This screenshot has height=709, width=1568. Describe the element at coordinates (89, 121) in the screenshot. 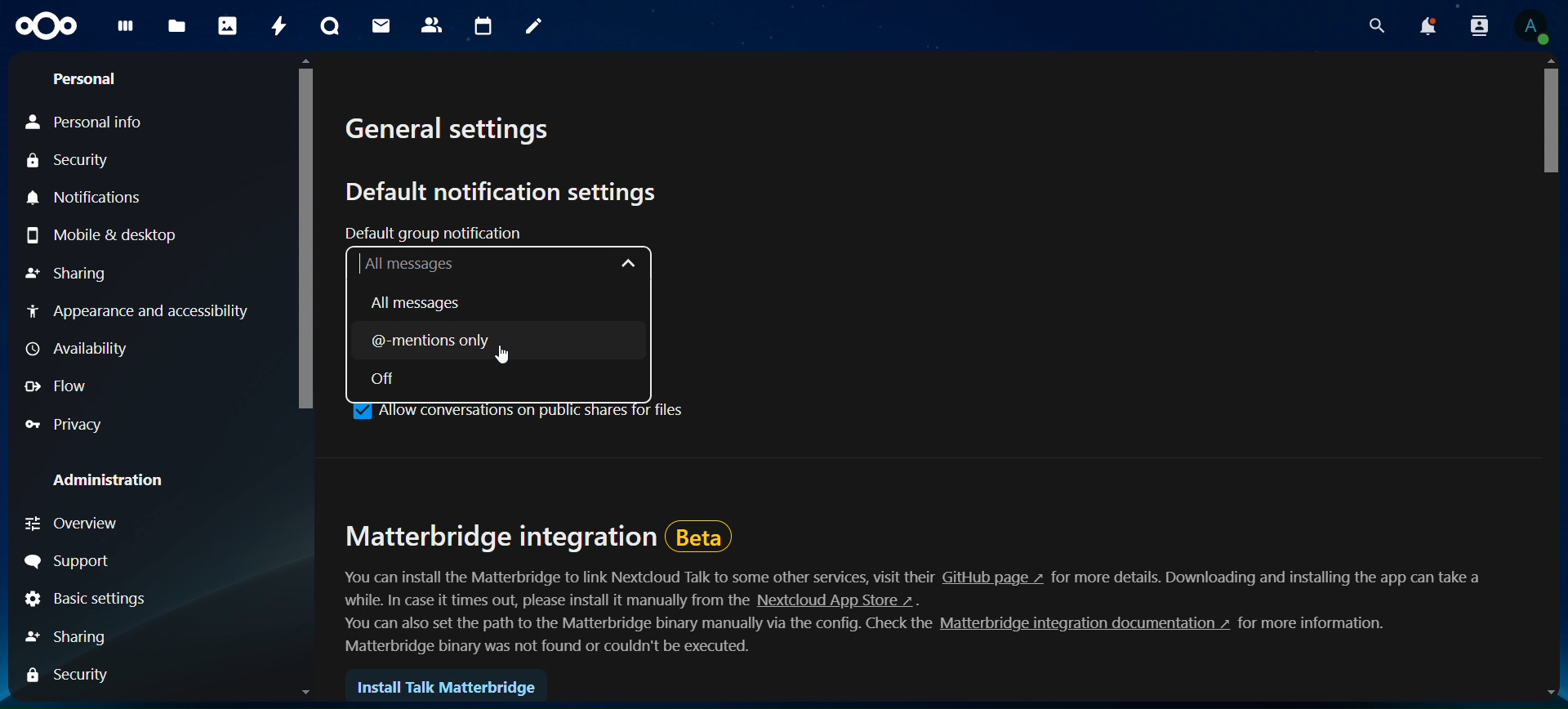

I see `personal info` at that location.